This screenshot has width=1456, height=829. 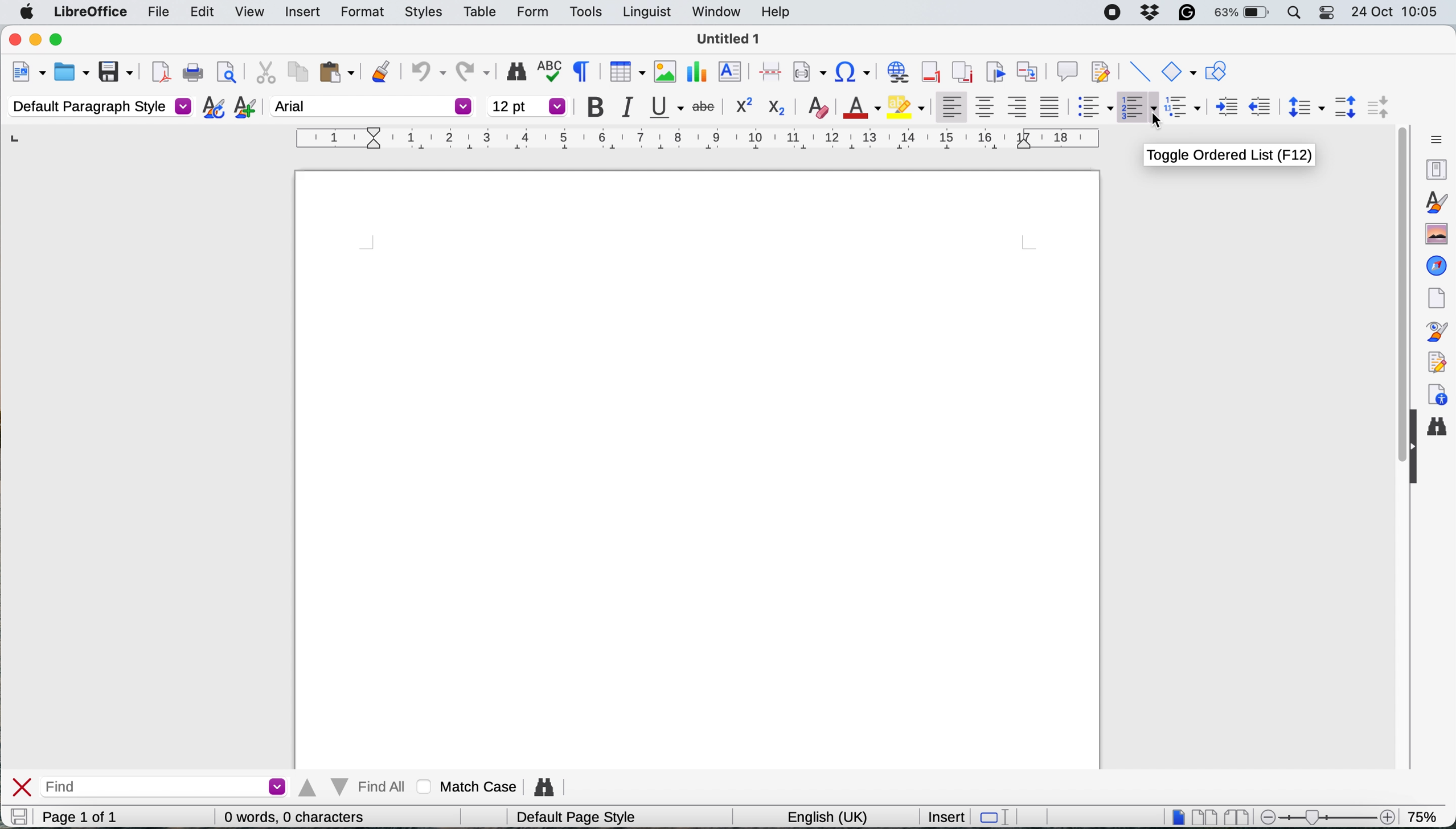 I want to click on edit, so click(x=204, y=12).